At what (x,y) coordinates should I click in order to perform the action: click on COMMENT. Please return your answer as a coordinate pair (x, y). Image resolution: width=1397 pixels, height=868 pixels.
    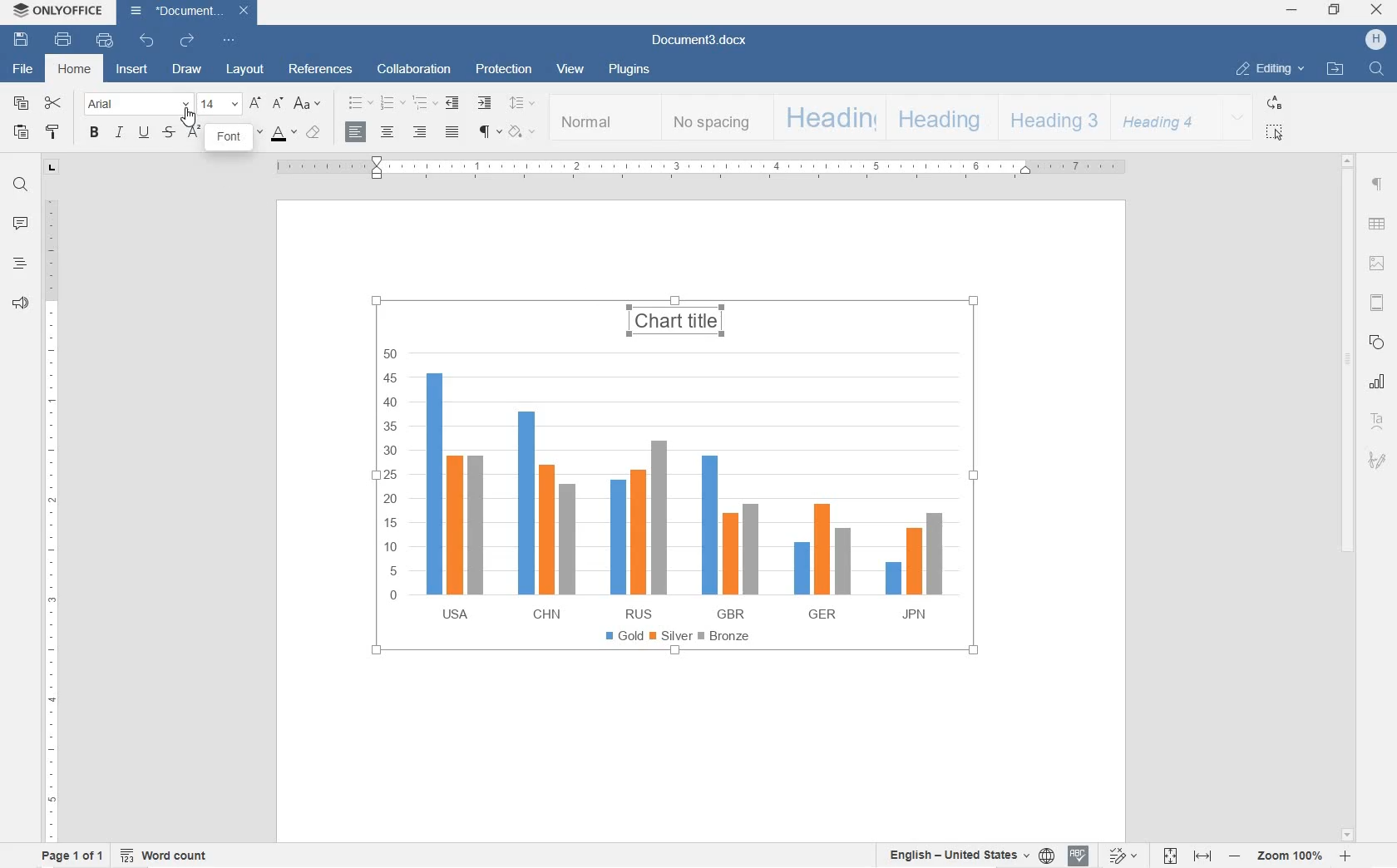
    Looking at the image, I should click on (21, 223).